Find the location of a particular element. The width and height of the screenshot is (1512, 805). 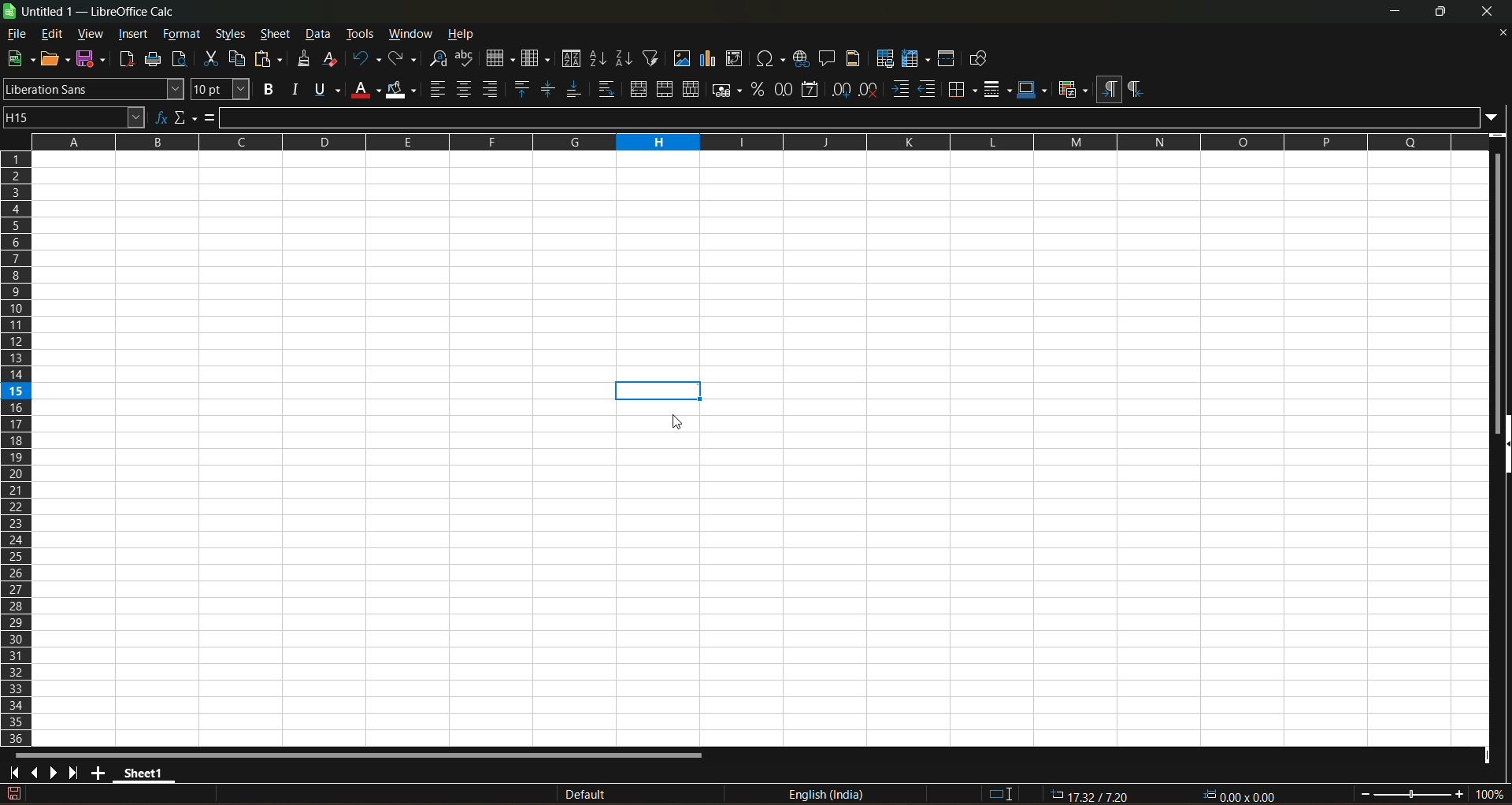

rows is located at coordinates (748, 149).